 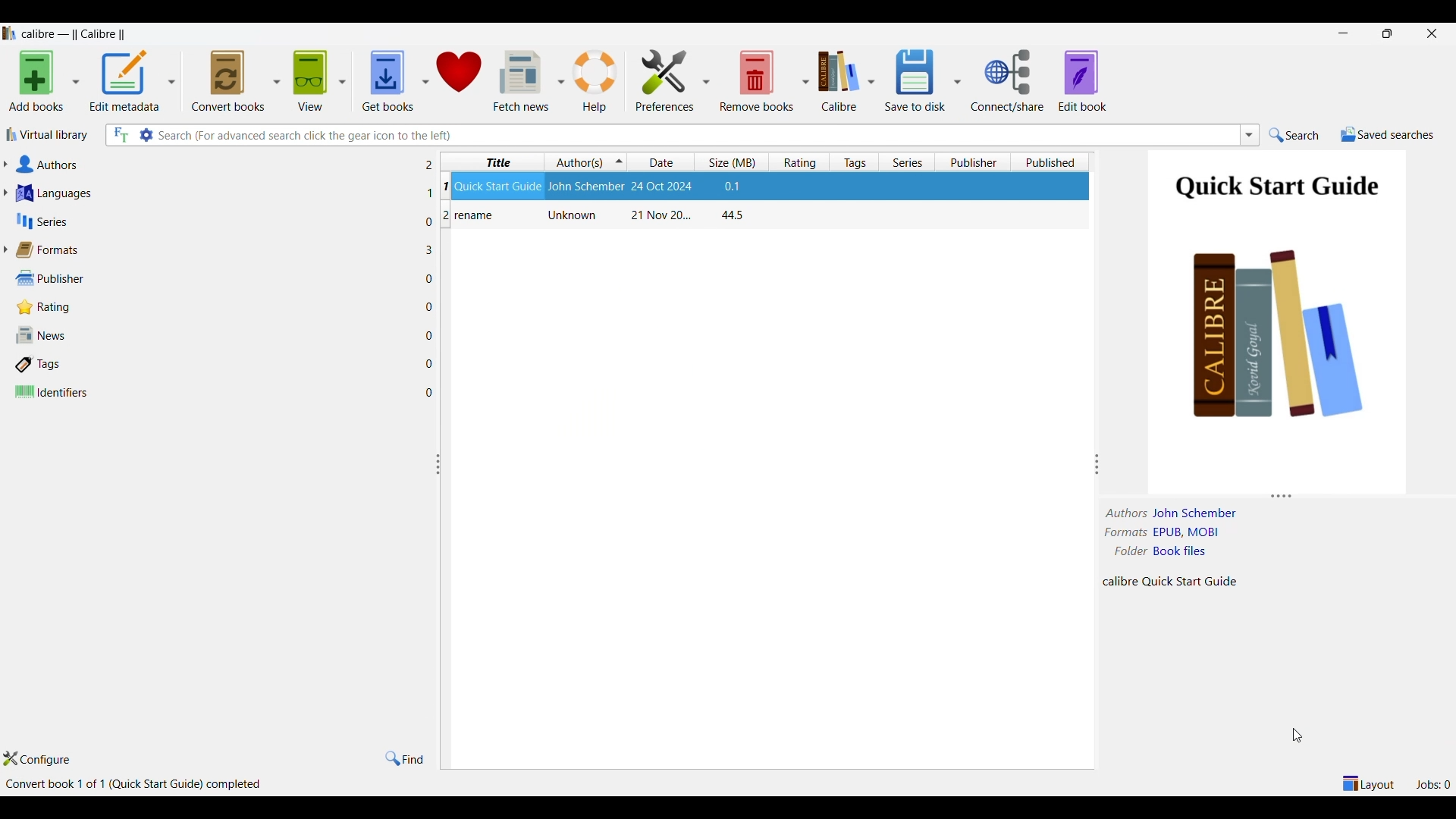 What do you see at coordinates (1125, 532) in the screenshot?
I see `formats` at bounding box center [1125, 532].